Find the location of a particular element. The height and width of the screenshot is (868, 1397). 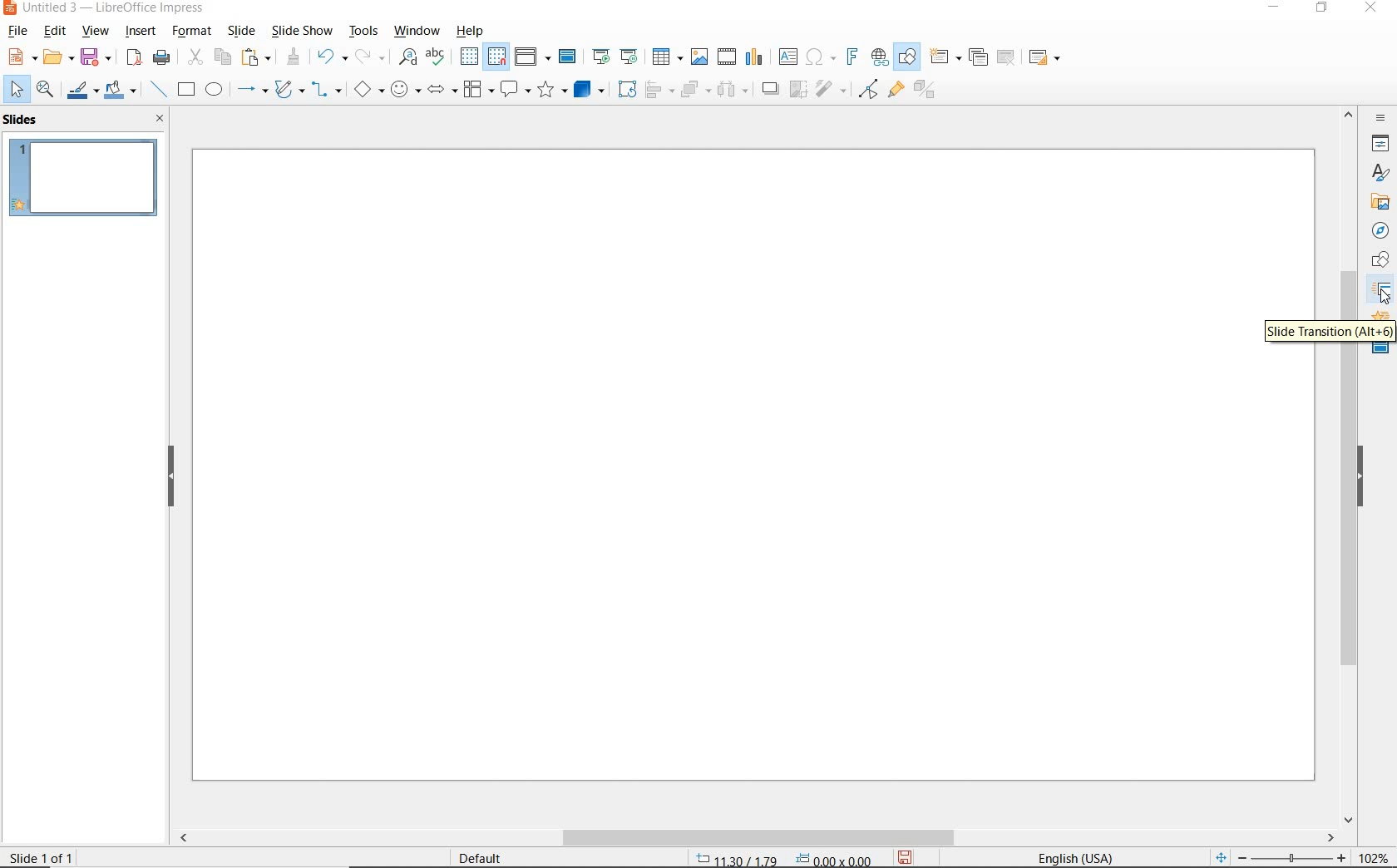

ZOOM & PAN is located at coordinates (47, 91).